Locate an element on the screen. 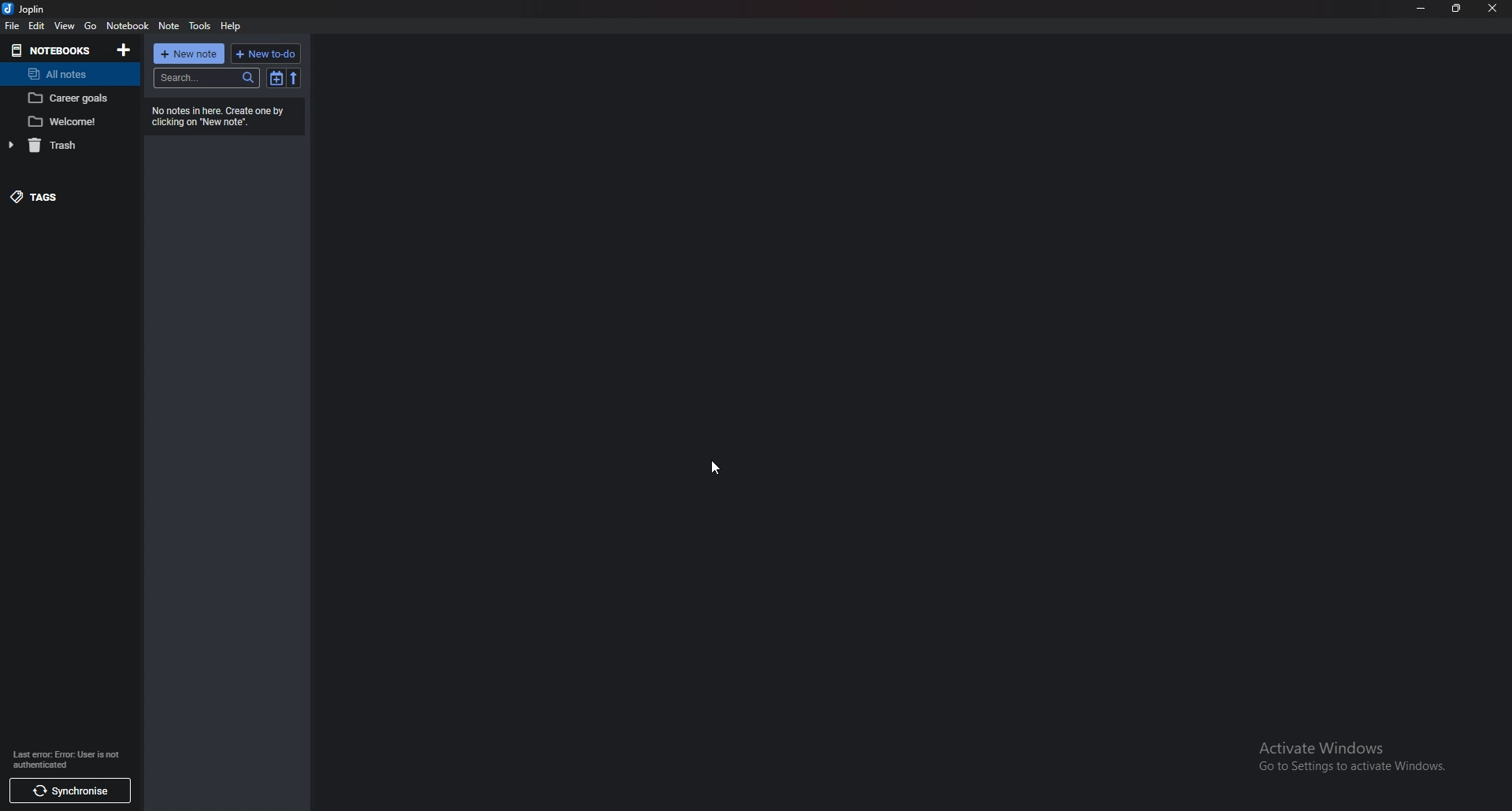 The image size is (1512, 811). new to do is located at coordinates (267, 54).